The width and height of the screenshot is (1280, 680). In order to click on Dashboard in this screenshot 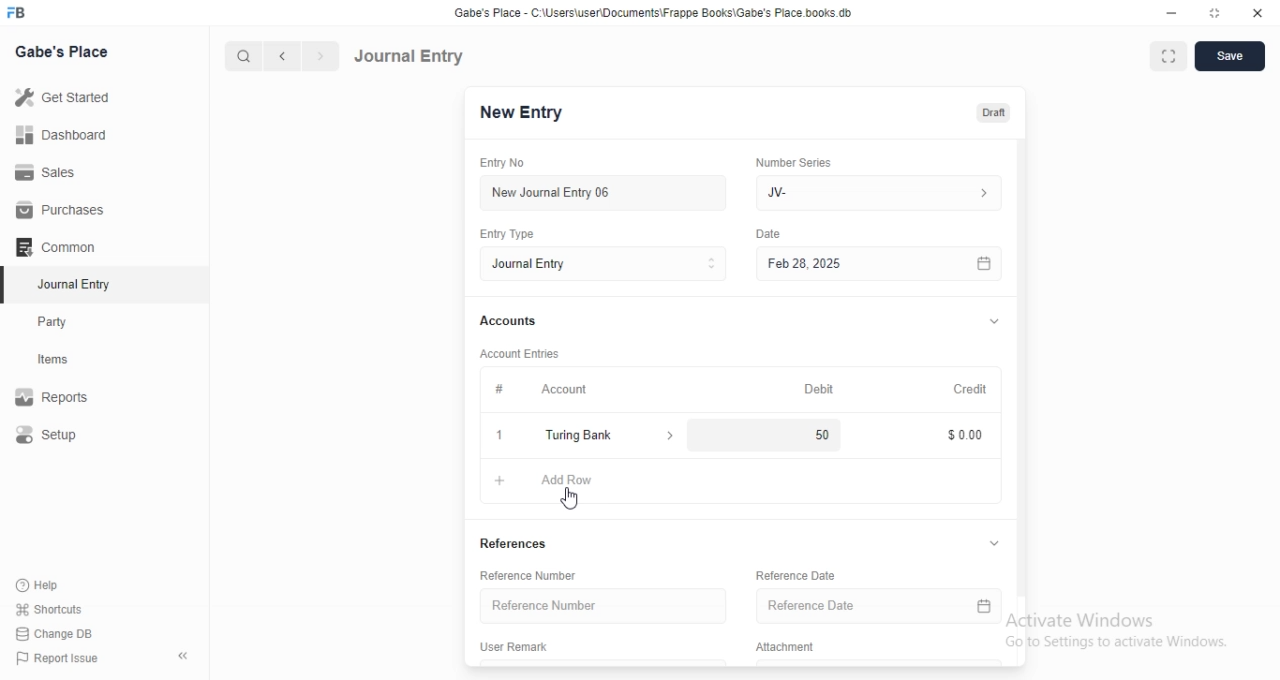, I will do `click(66, 134)`.